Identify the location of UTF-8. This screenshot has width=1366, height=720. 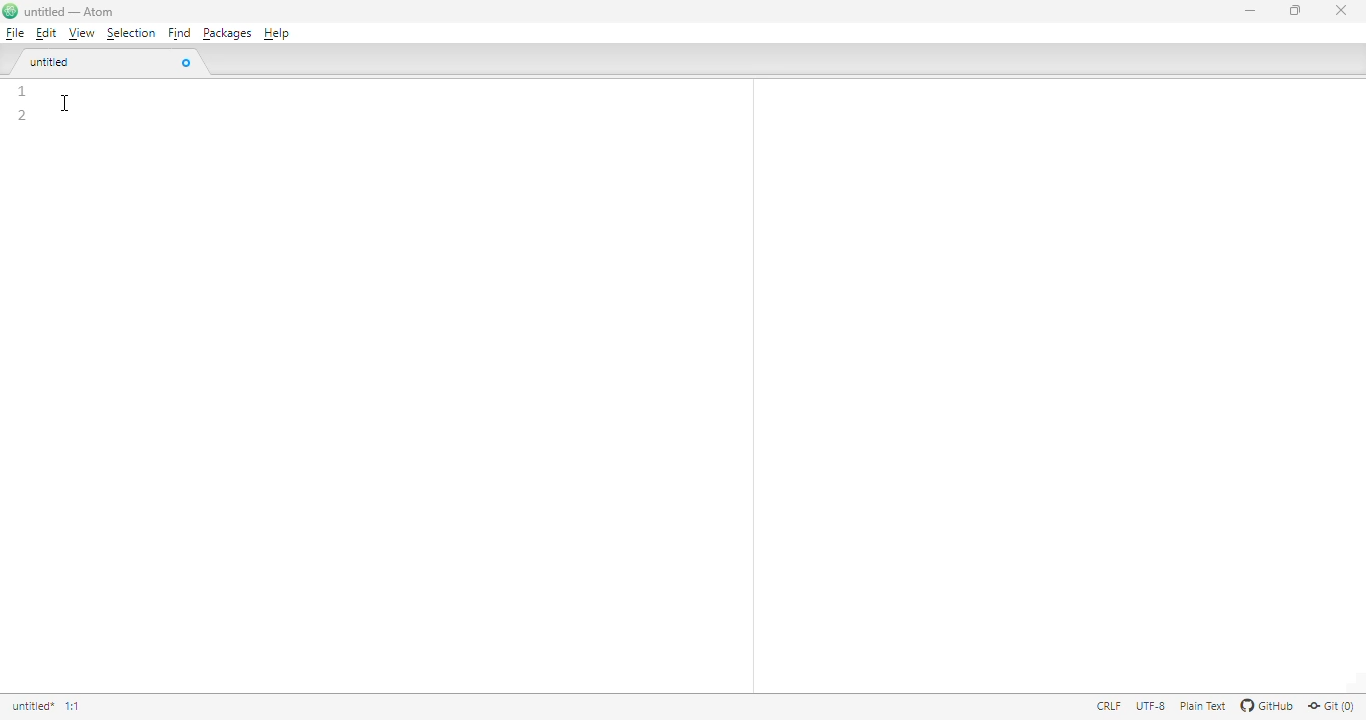
(1150, 706).